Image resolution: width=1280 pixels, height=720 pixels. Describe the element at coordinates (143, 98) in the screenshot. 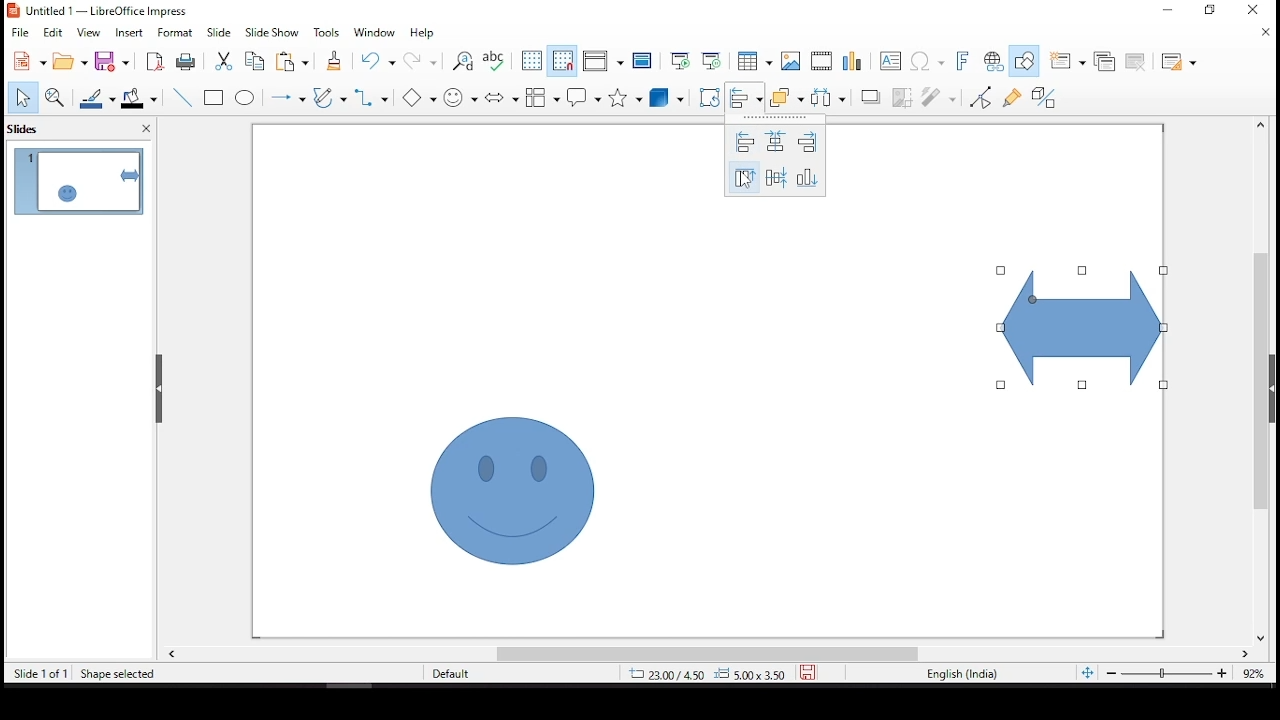

I see `fill color` at that location.